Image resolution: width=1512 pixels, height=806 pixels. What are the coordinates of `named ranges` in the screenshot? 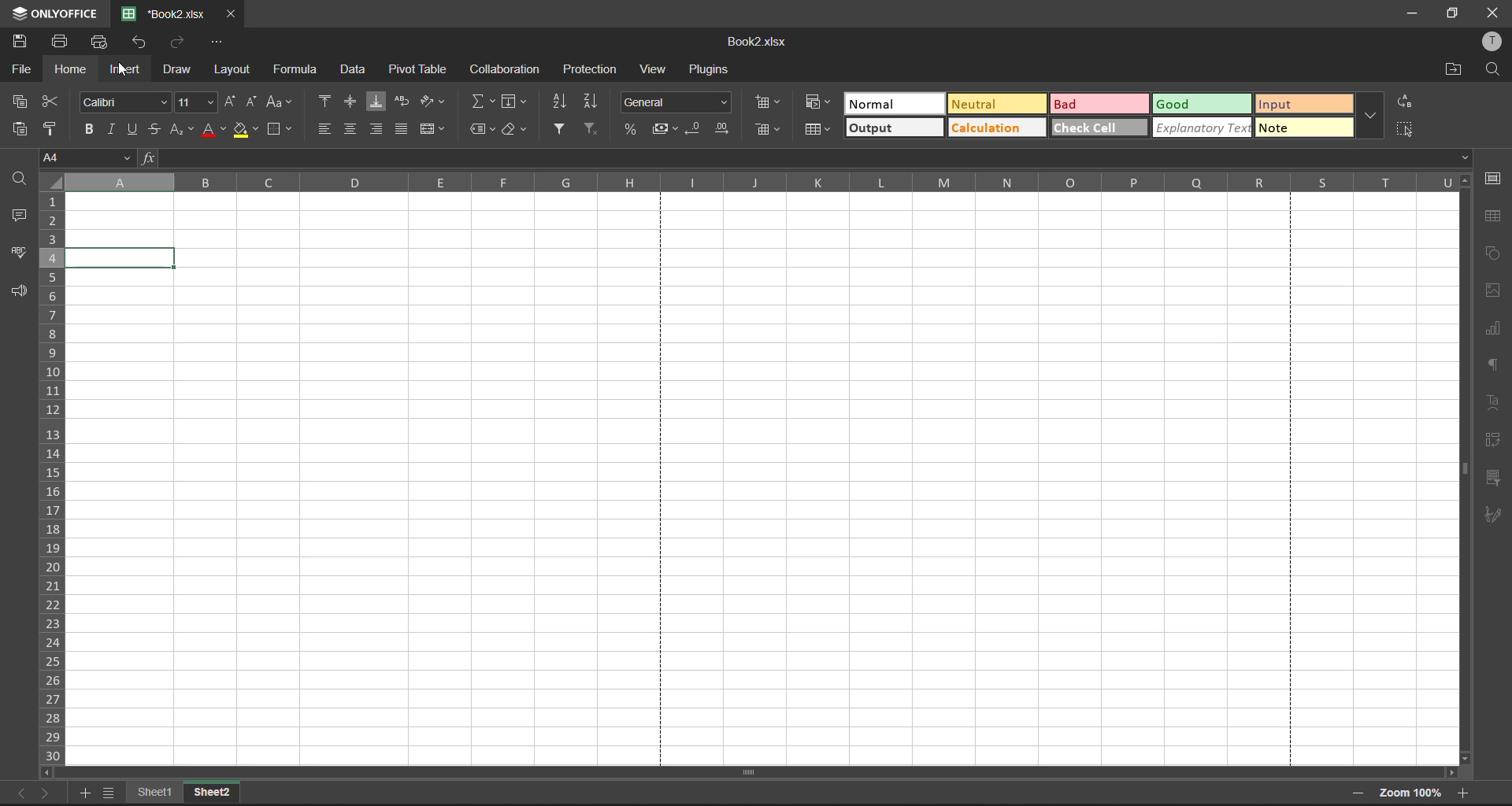 It's located at (483, 130).